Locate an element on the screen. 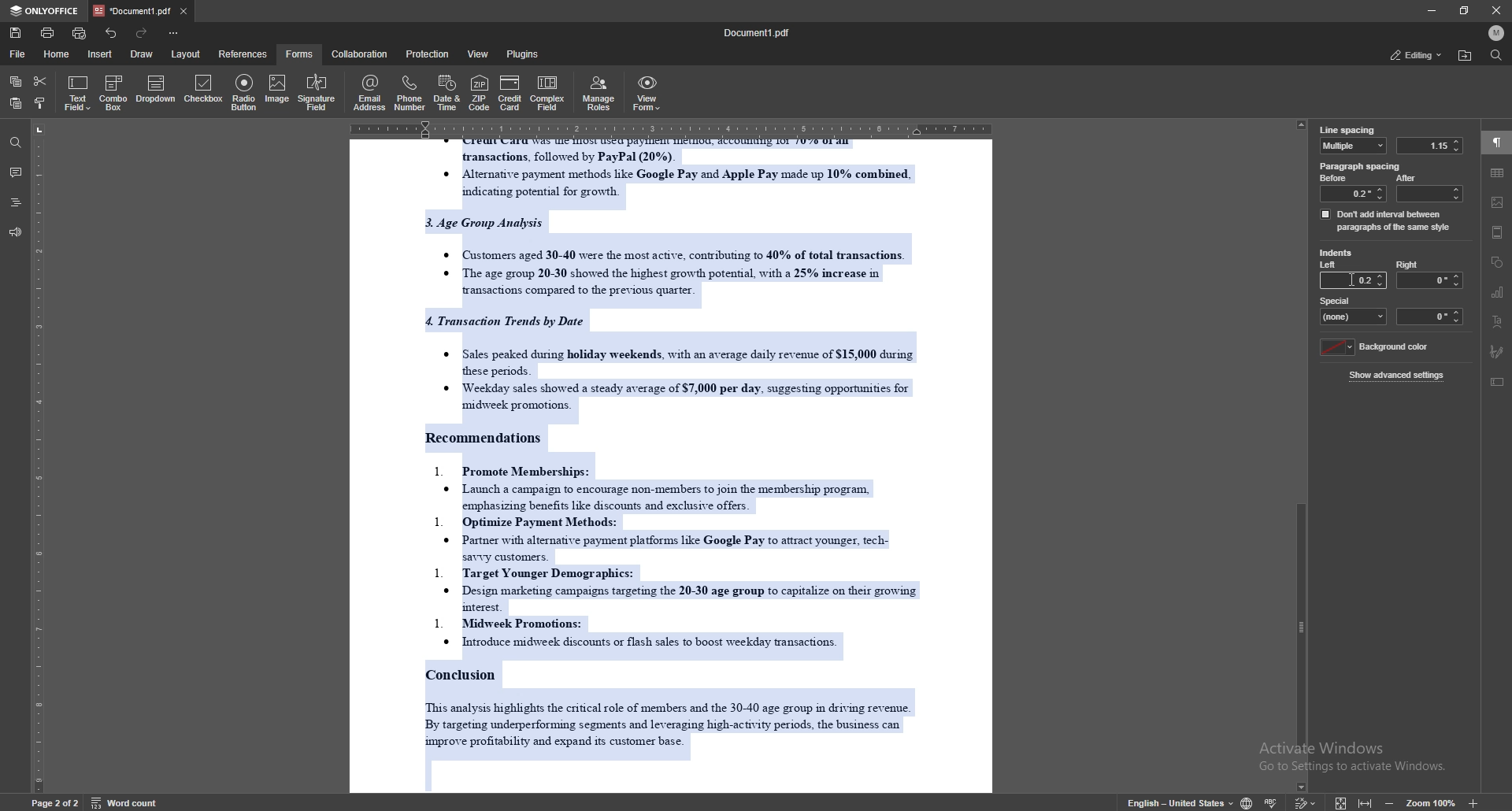 This screenshot has width=1512, height=811. image is located at coordinates (276, 91).